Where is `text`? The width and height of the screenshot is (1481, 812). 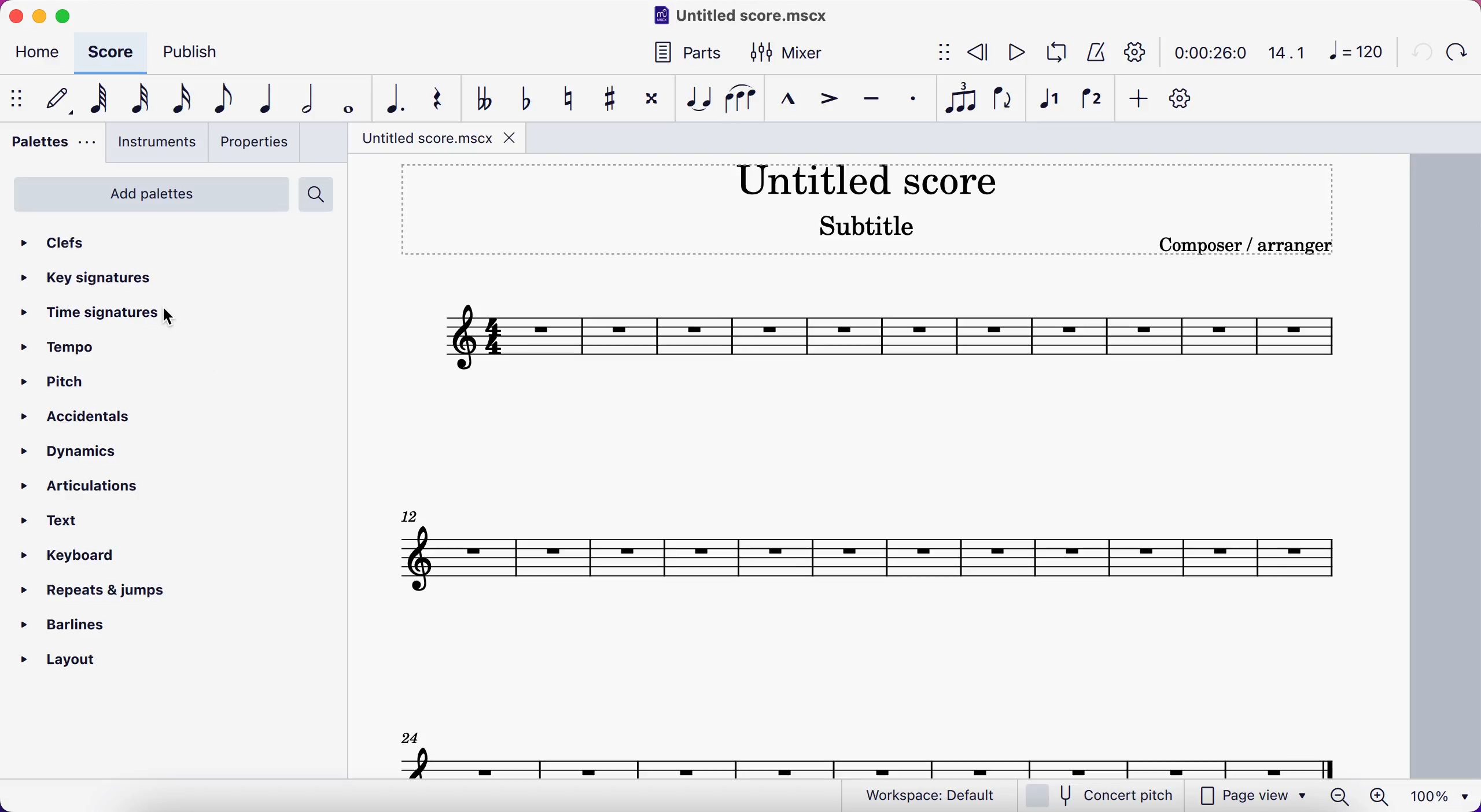 text is located at coordinates (52, 522).